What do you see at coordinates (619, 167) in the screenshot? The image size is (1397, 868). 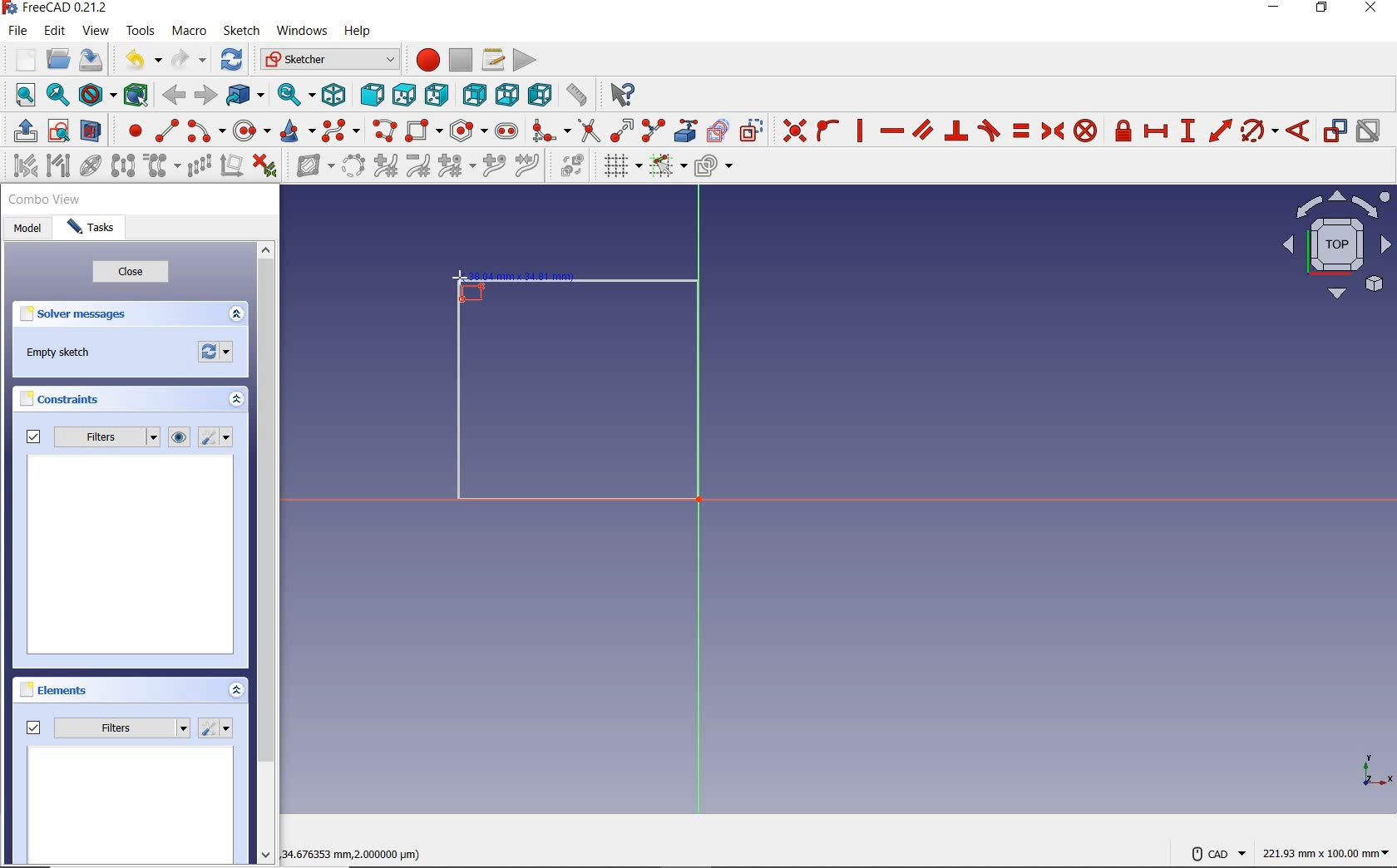 I see `toggle grid` at bounding box center [619, 167].